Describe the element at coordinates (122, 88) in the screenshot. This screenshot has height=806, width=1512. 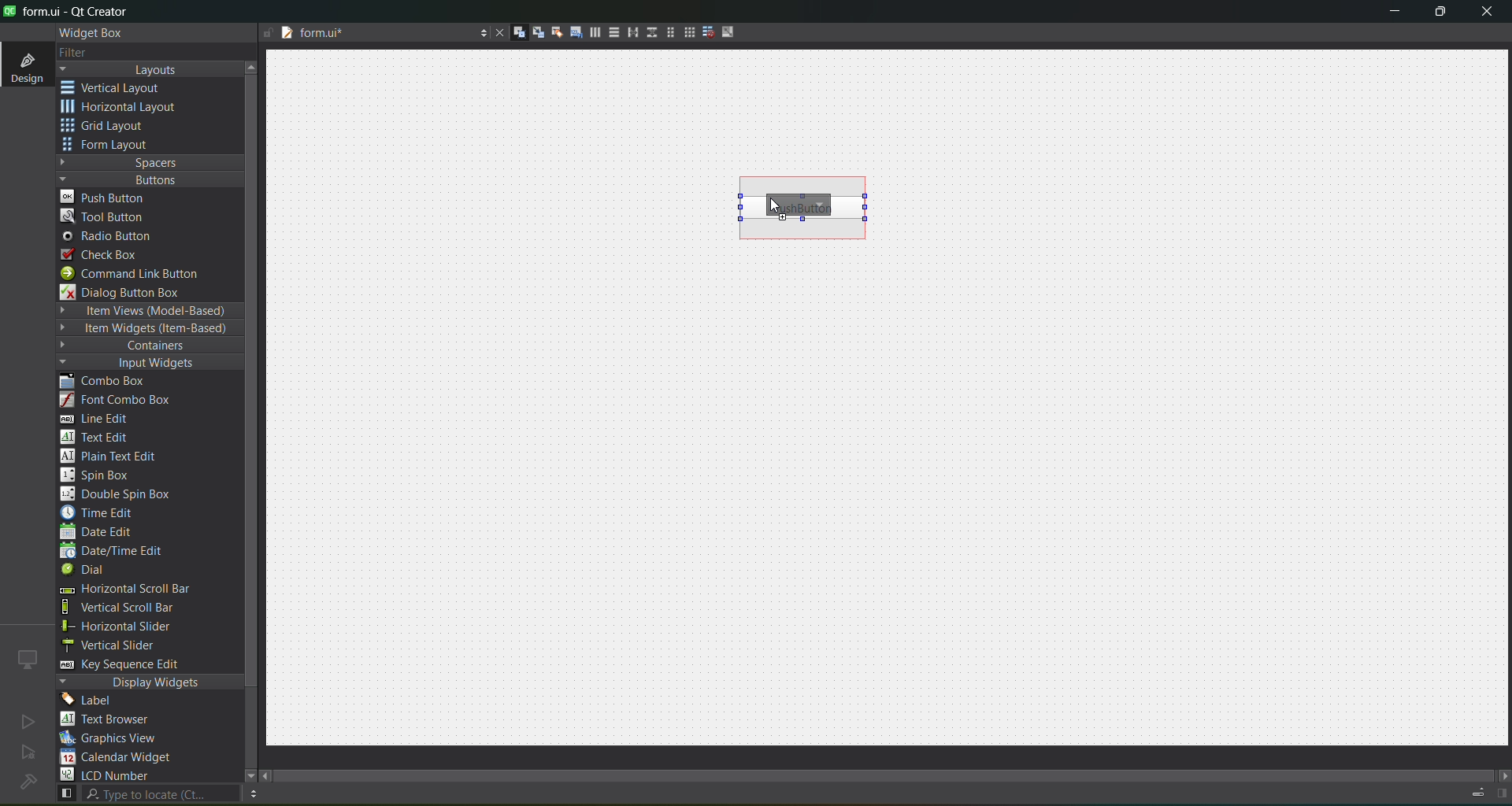
I see `vertical` at that location.